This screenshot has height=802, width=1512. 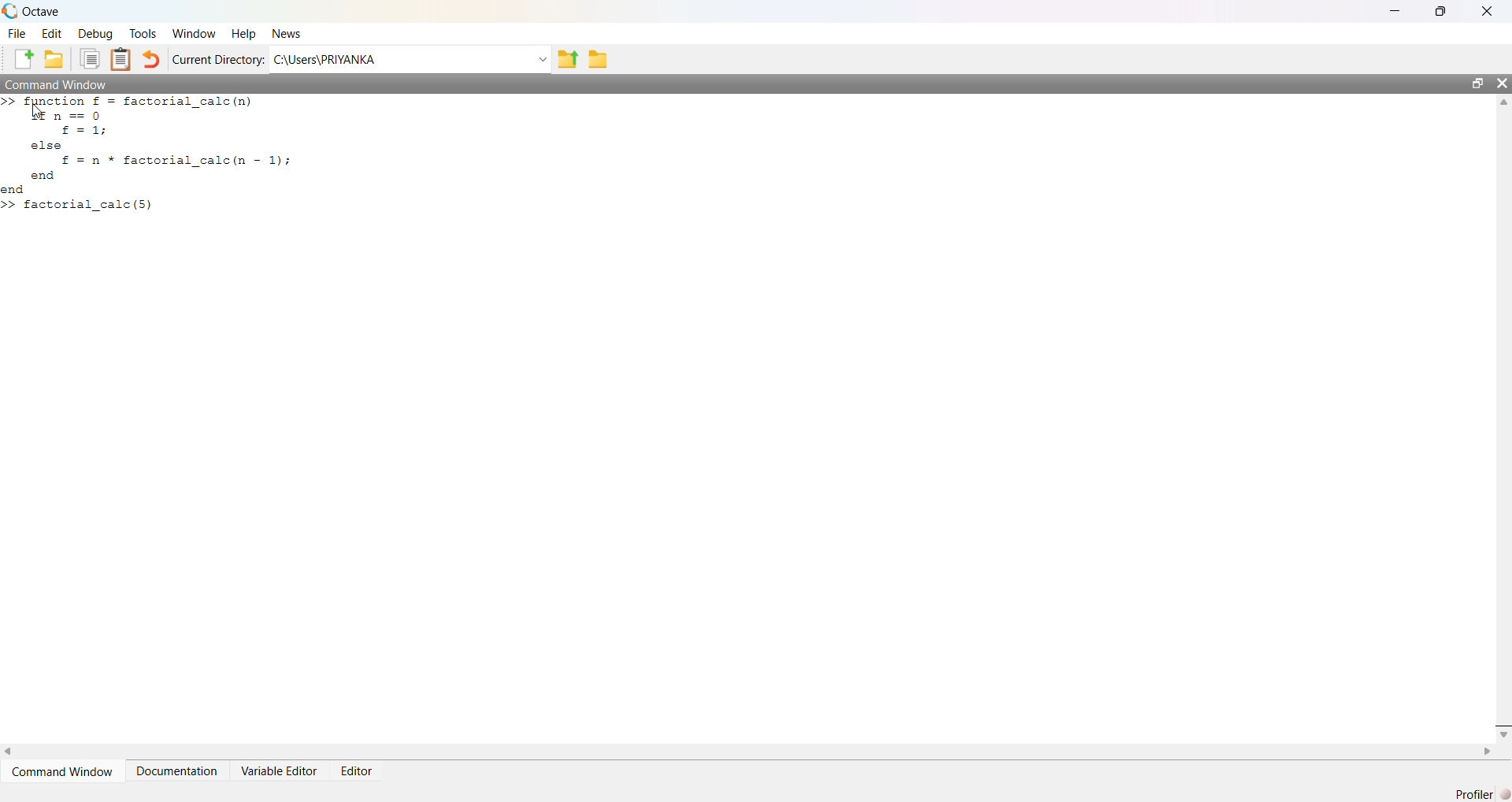 What do you see at coordinates (56, 84) in the screenshot?
I see `Command window` at bounding box center [56, 84].